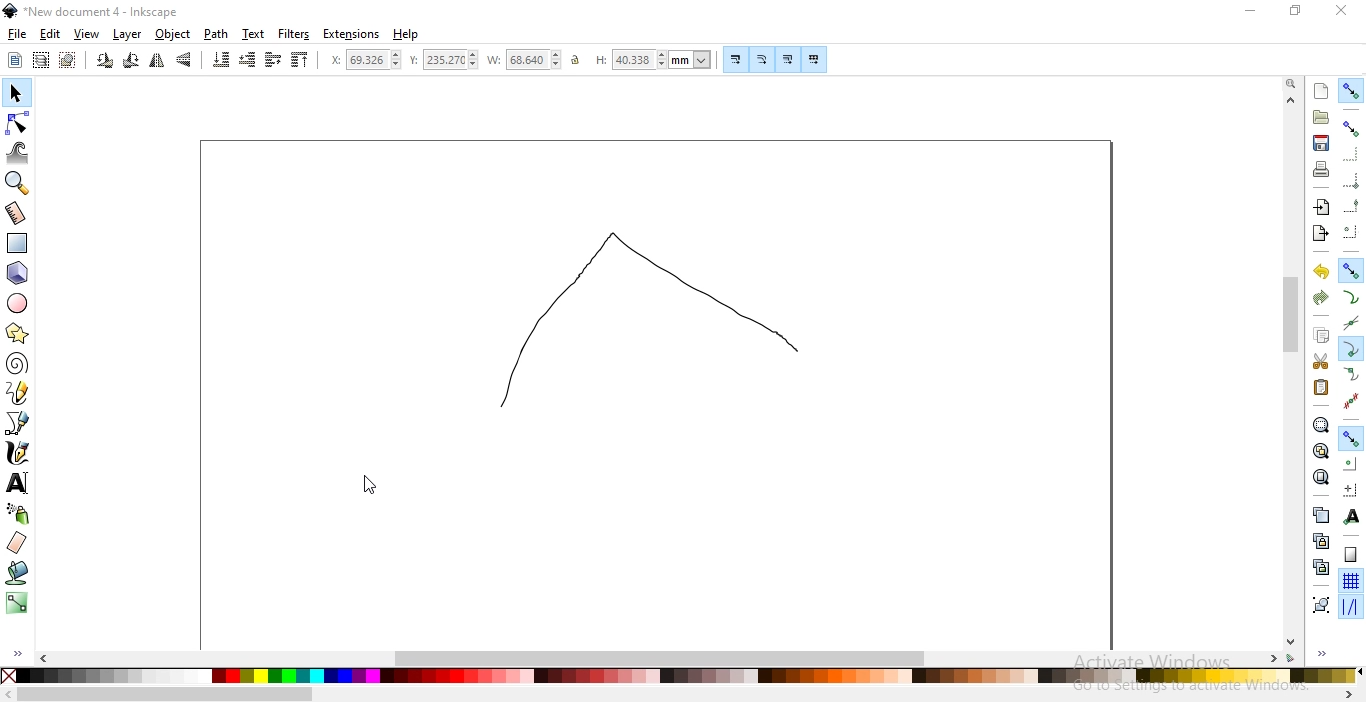 The width and height of the screenshot is (1366, 702). What do you see at coordinates (131, 59) in the screenshot?
I see `rotate 90 clockwise` at bounding box center [131, 59].